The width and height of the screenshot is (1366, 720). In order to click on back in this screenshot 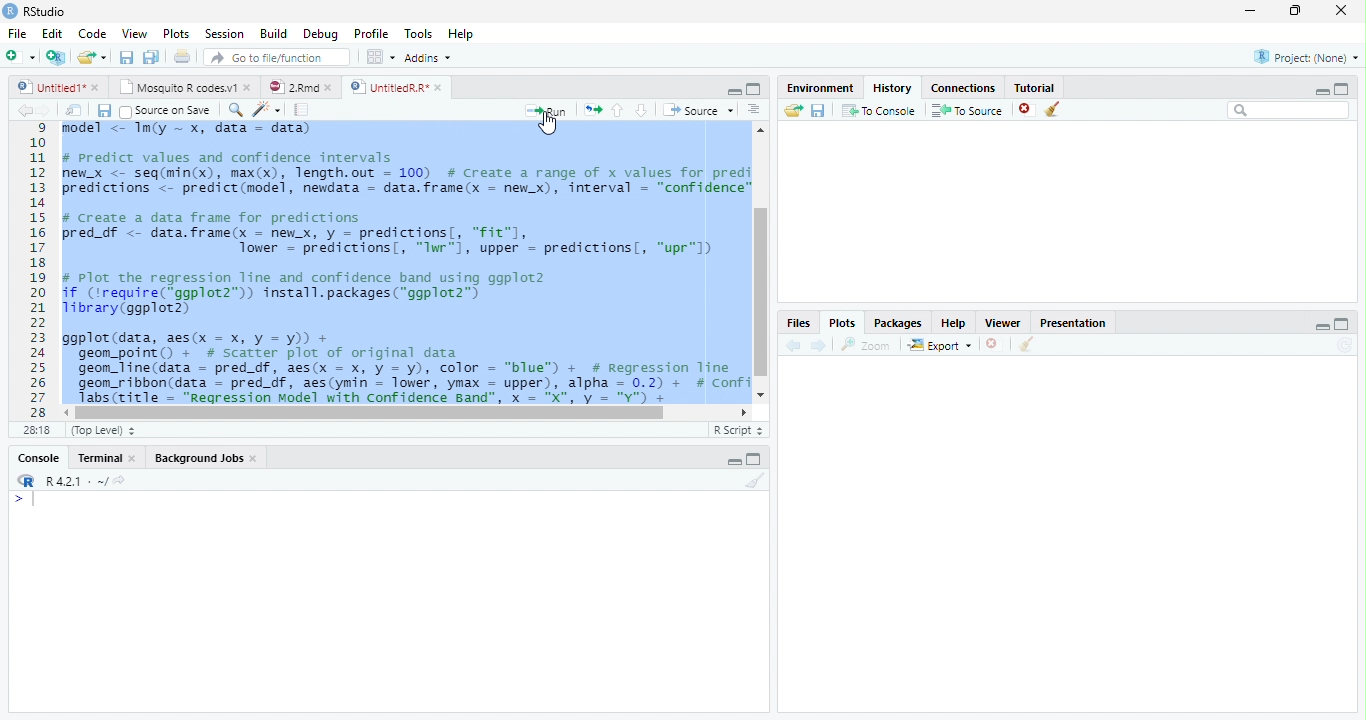, I will do `click(22, 111)`.